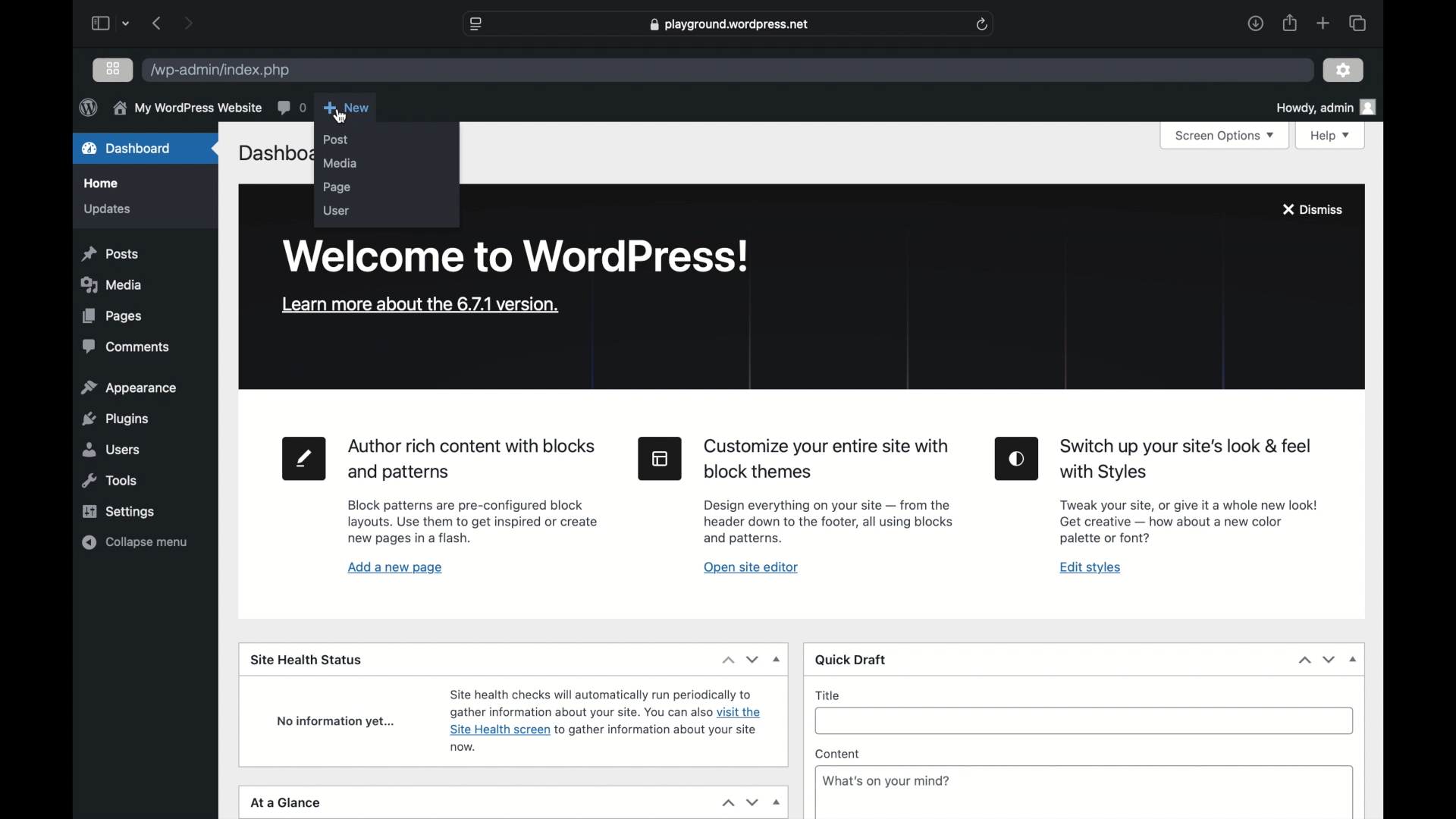 Image resolution: width=1456 pixels, height=819 pixels. Describe the element at coordinates (347, 108) in the screenshot. I see `new` at that location.